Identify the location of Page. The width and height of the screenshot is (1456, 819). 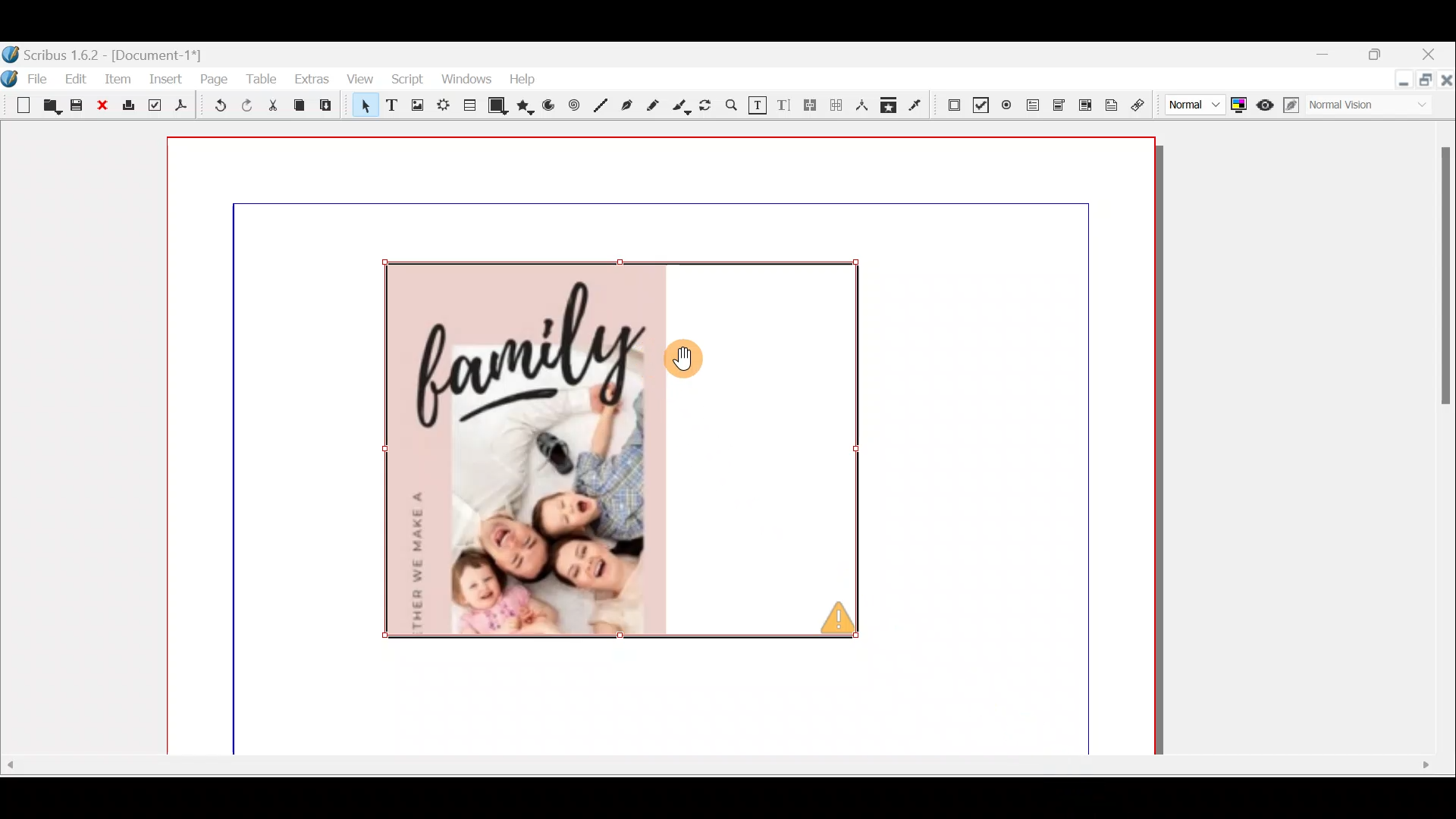
(215, 78).